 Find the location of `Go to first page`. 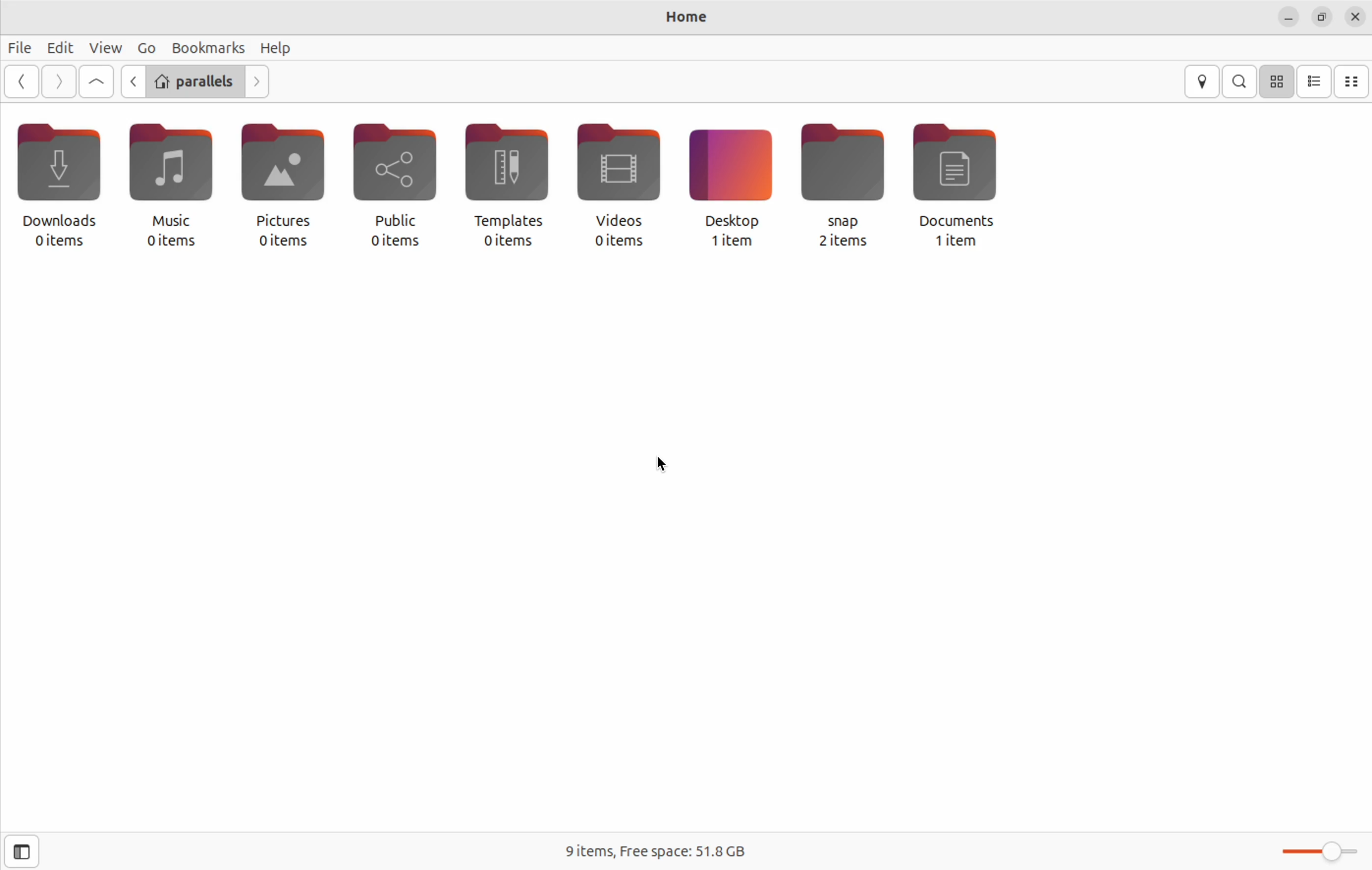

Go to first page is located at coordinates (96, 83).